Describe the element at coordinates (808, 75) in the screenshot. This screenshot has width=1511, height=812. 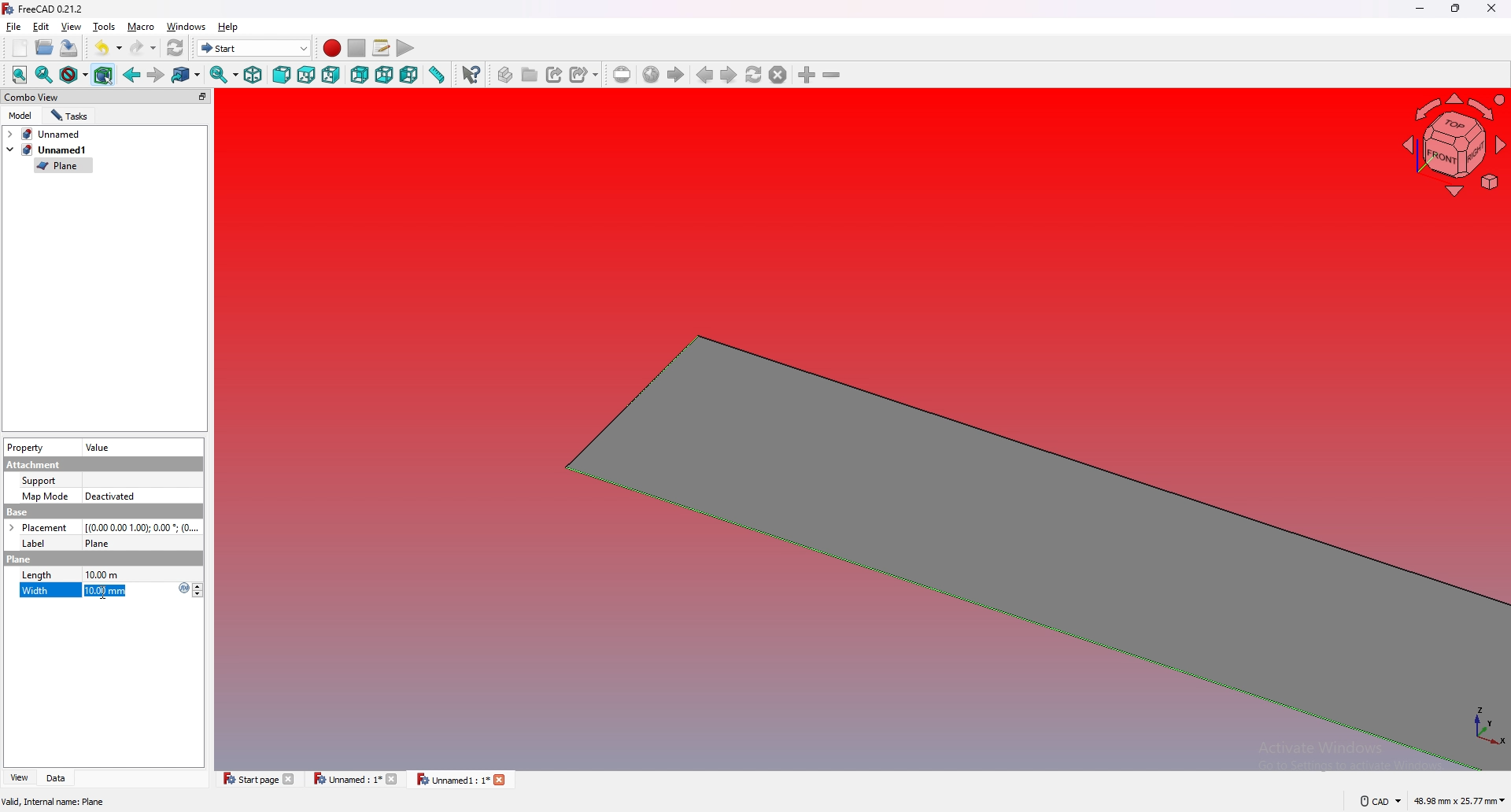
I see `zoom in` at that location.